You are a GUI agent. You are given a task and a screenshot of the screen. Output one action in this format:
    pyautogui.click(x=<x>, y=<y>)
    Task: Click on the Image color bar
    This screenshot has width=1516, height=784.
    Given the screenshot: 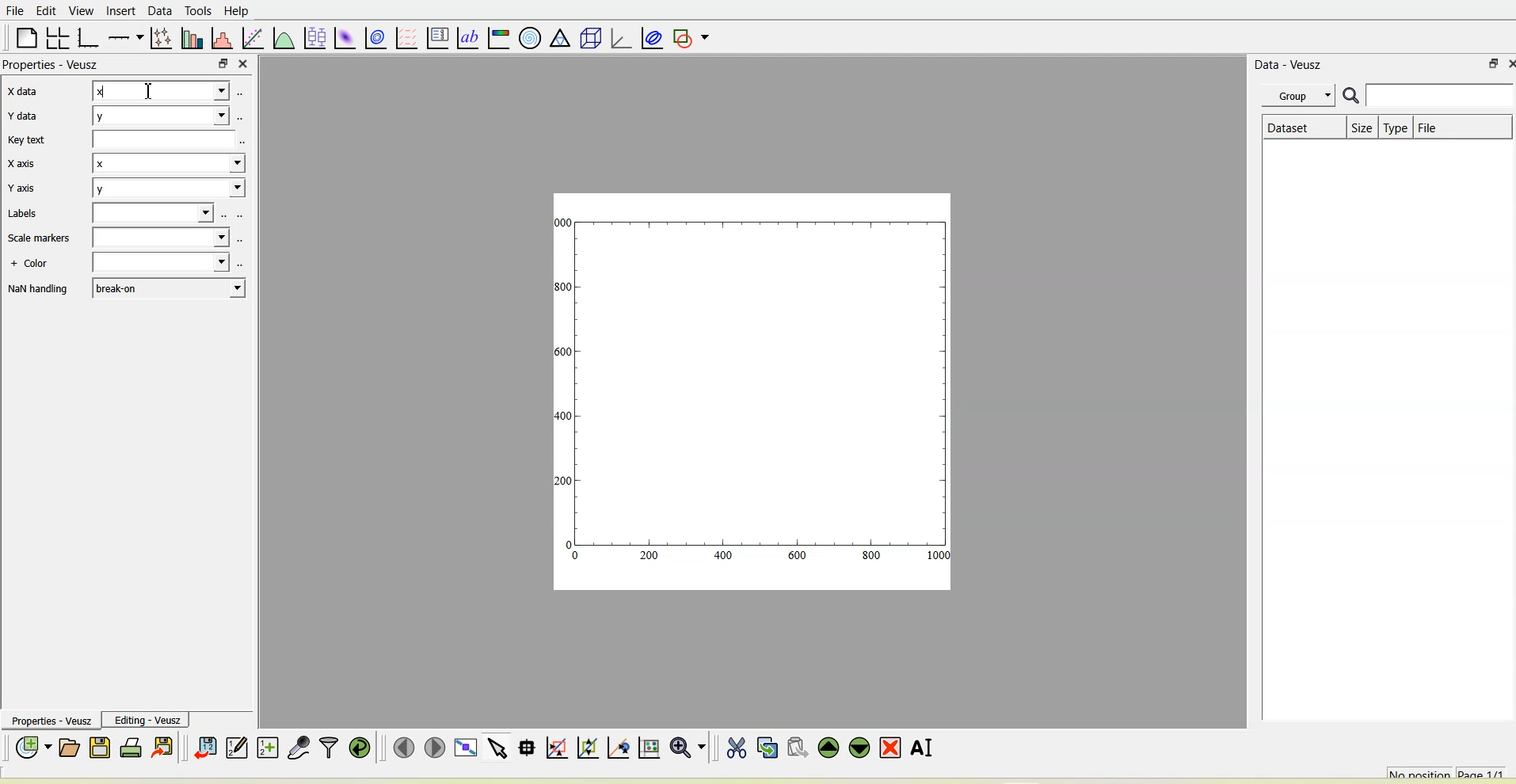 What is the action you would take?
    pyautogui.click(x=498, y=36)
    